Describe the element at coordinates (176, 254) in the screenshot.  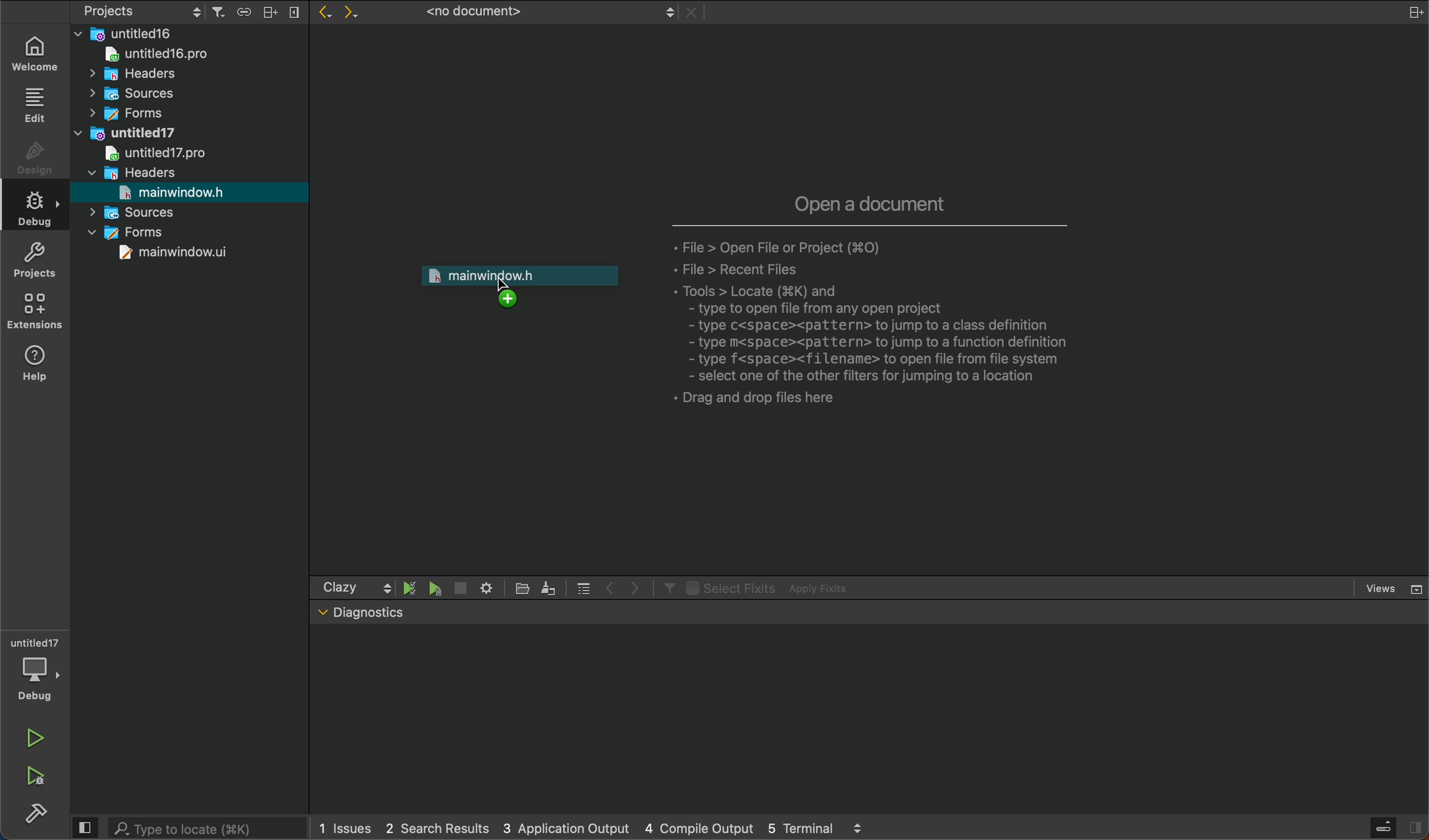
I see `mainwindow.ui` at that location.